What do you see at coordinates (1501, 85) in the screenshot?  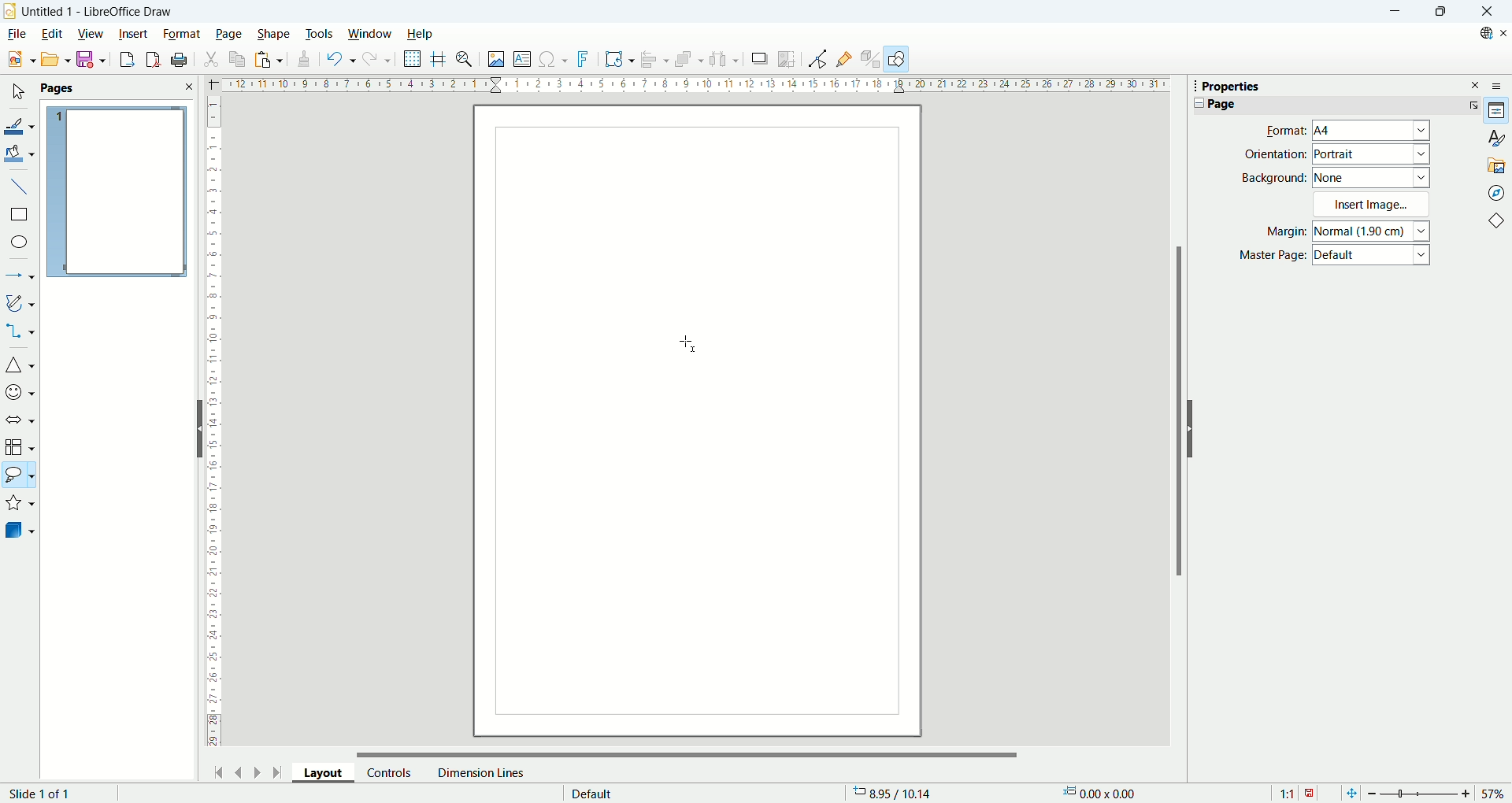 I see `Sidebar settings` at bounding box center [1501, 85].